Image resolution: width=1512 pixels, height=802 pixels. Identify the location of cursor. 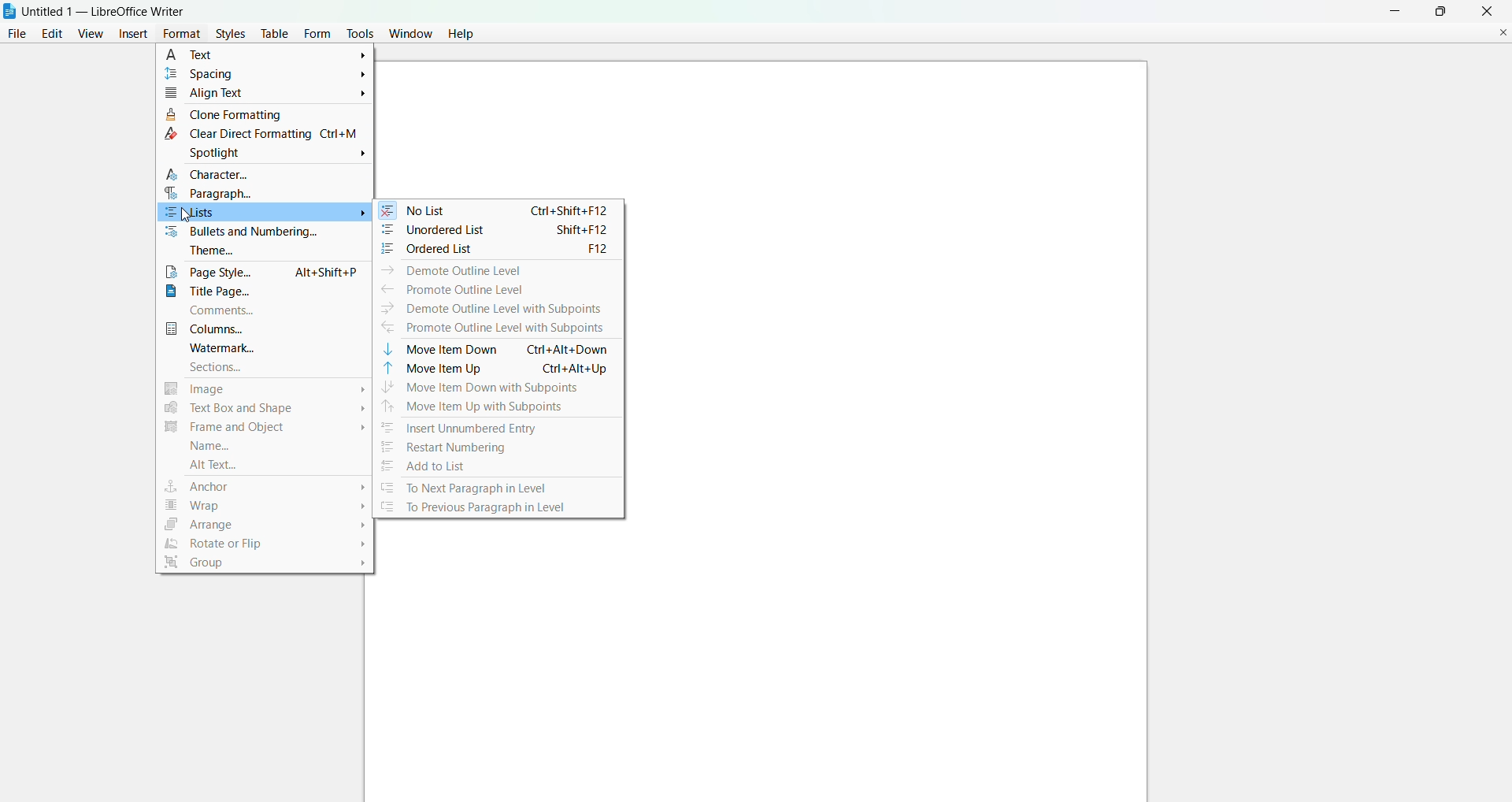
(187, 214).